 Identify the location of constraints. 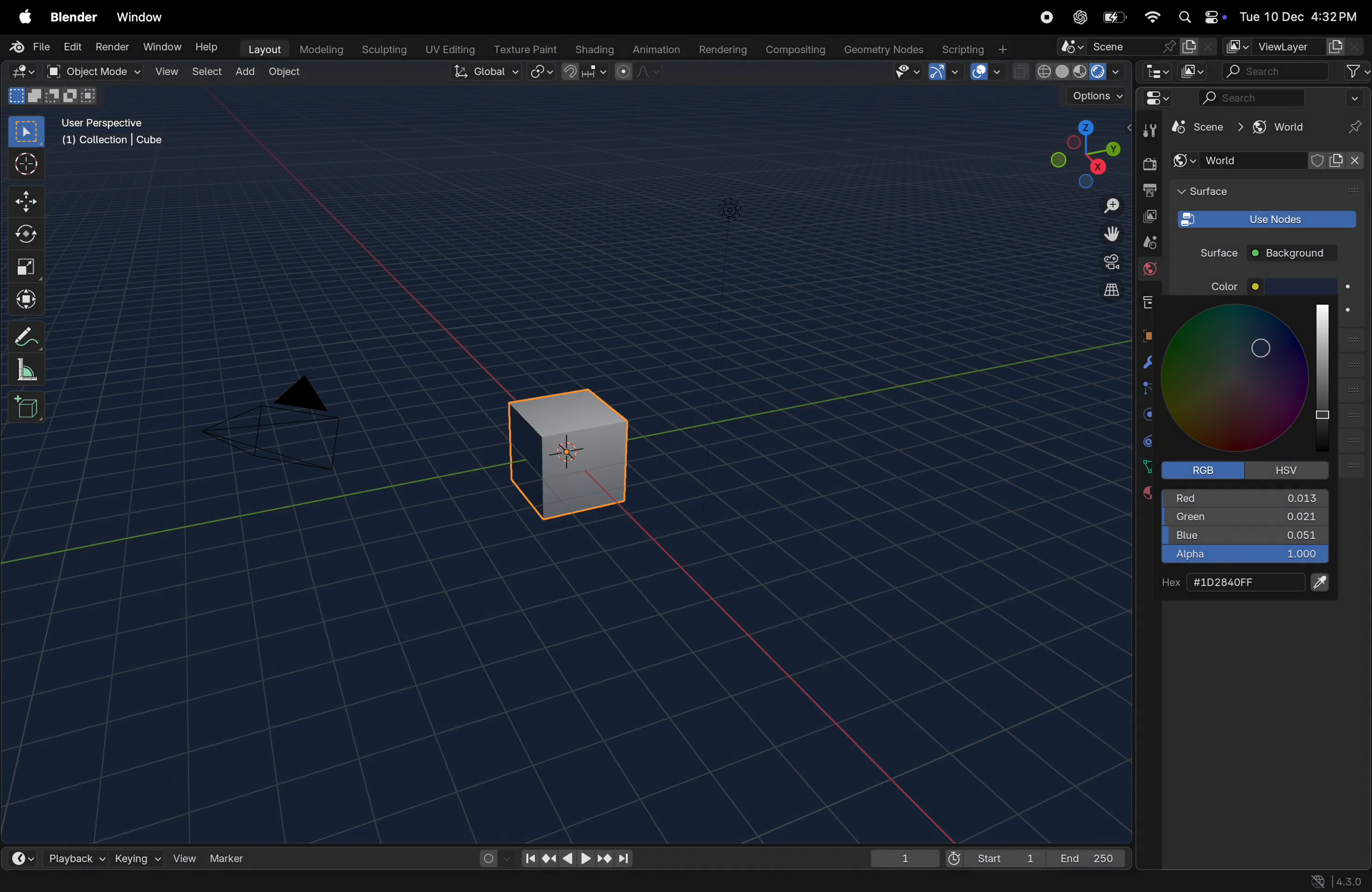
(1148, 440).